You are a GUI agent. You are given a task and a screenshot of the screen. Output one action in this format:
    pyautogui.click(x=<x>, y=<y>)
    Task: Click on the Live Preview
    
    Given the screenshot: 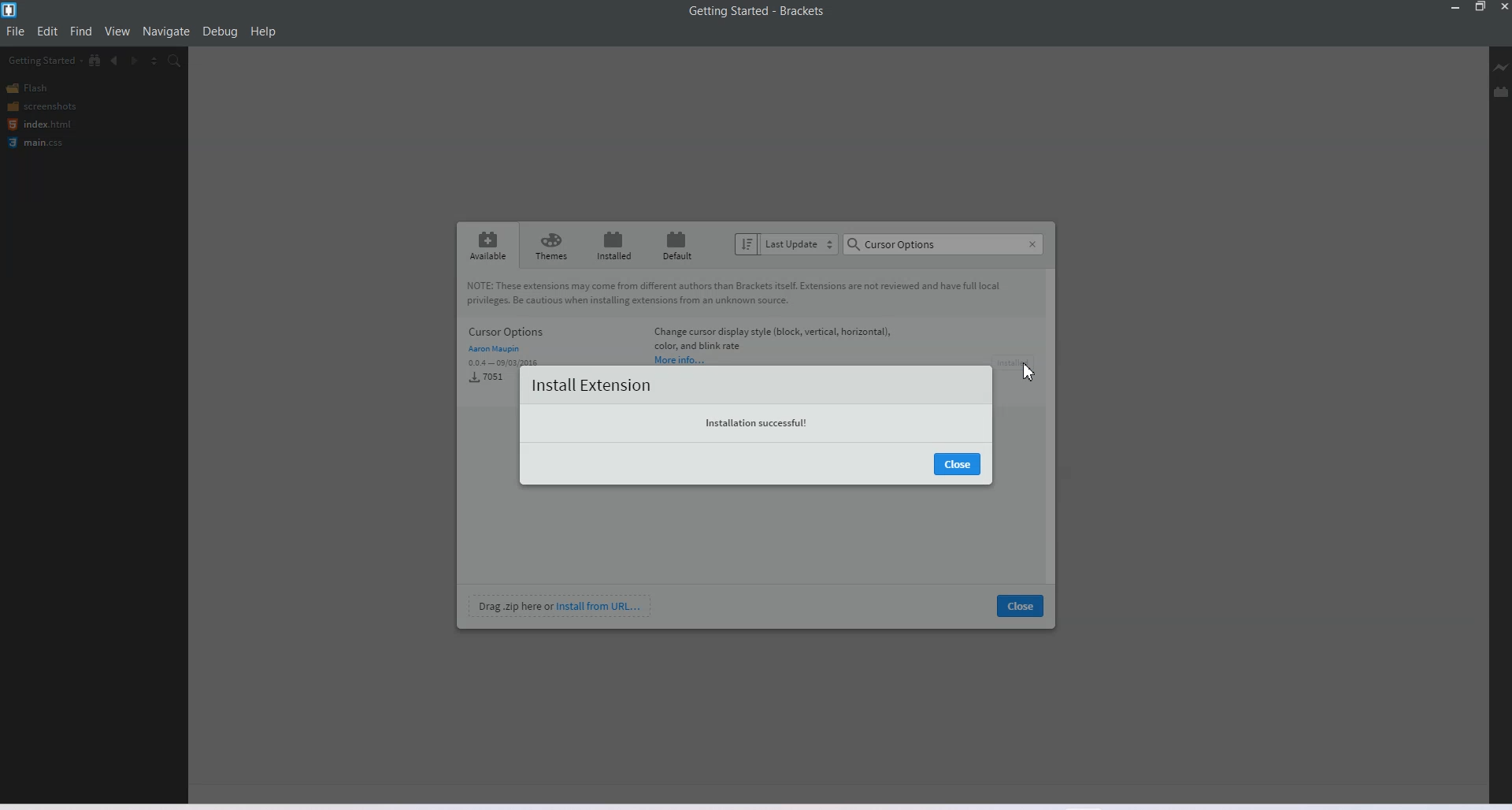 What is the action you would take?
    pyautogui.click(x=1501, y=67)
    